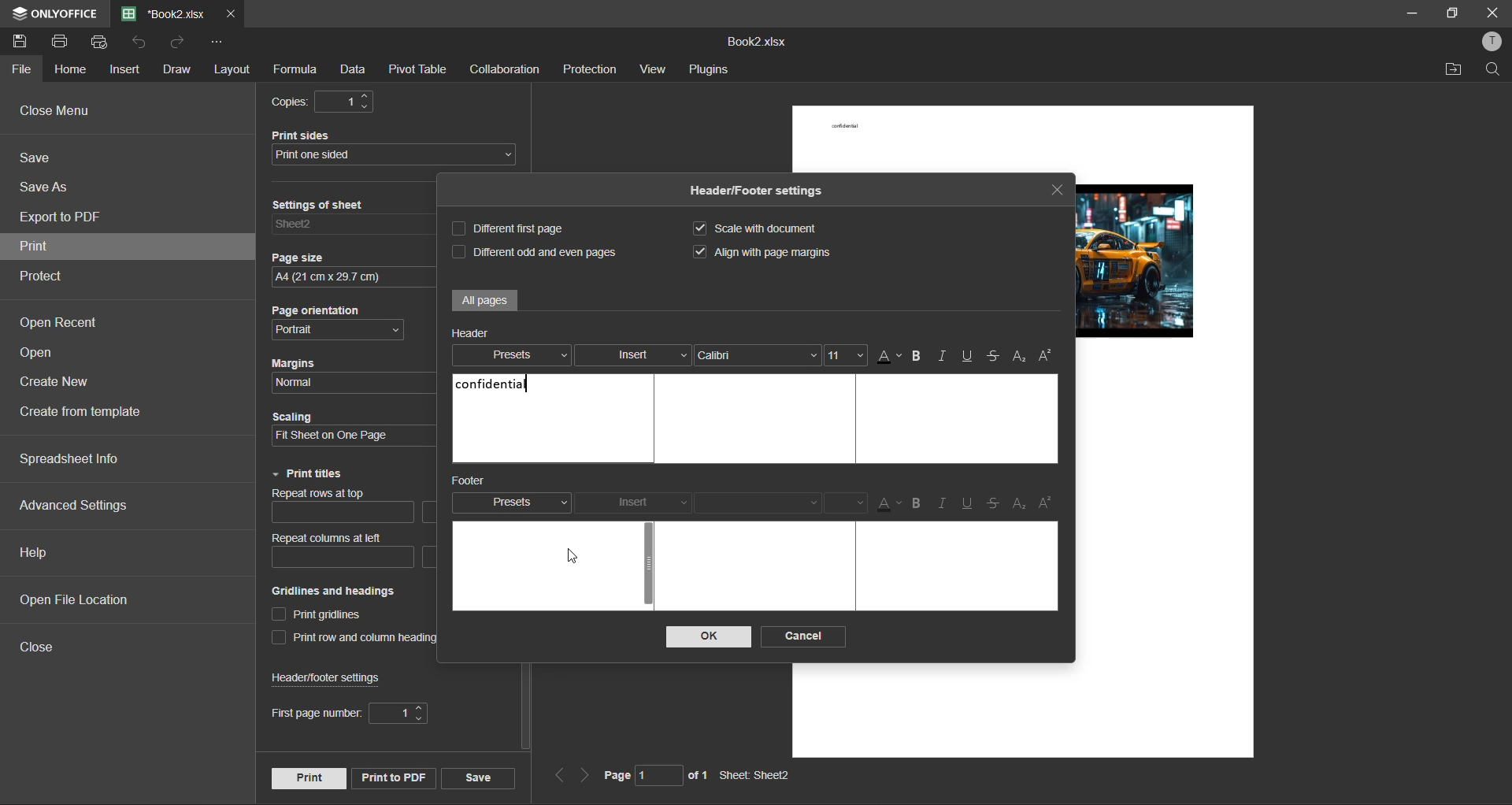 The image size is (1512, 805). I want to click on font size, so click(846, 503).